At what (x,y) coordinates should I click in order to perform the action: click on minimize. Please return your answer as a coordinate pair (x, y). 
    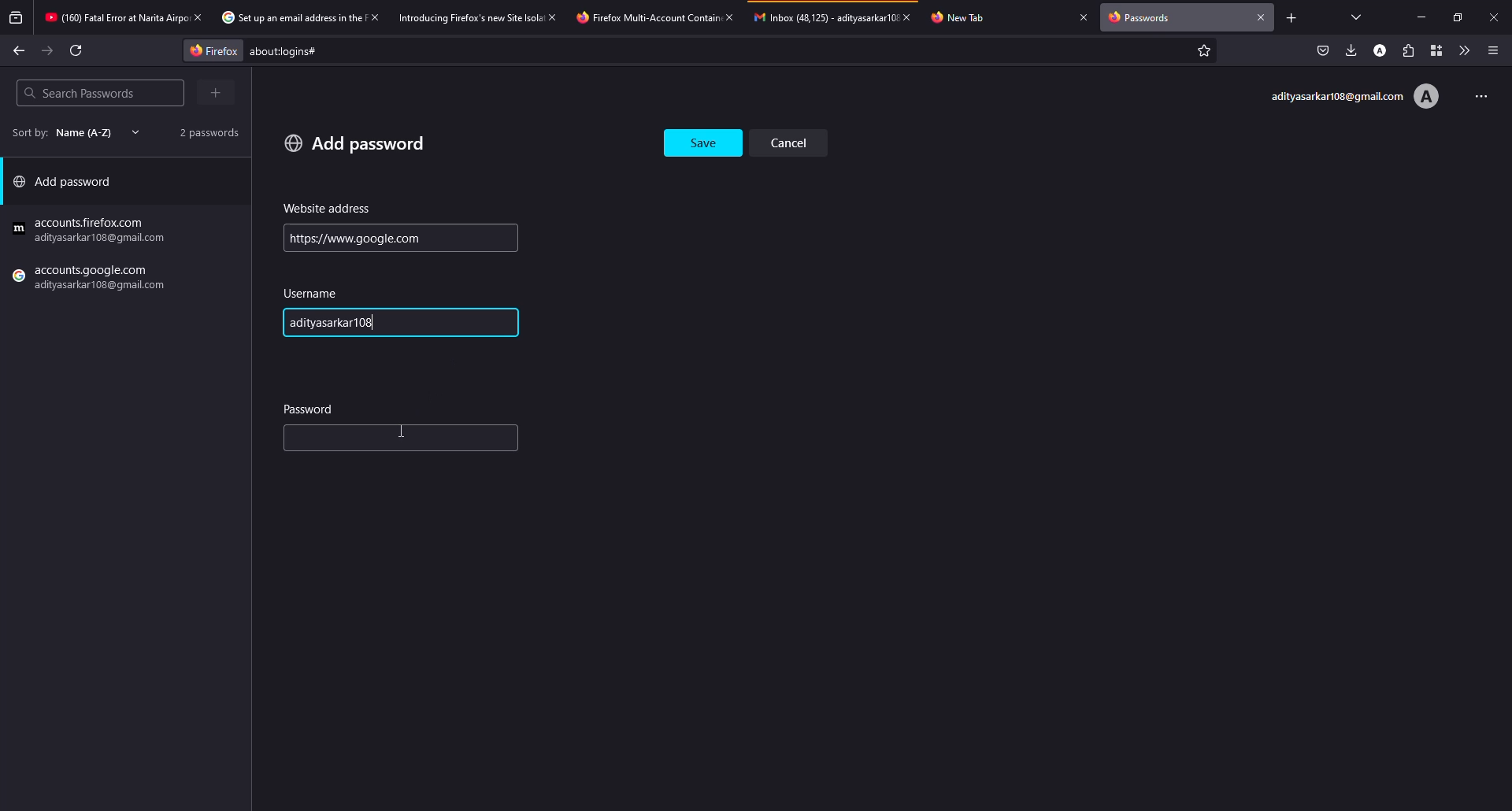
    Looking at the image, I should click on (1424, 17).